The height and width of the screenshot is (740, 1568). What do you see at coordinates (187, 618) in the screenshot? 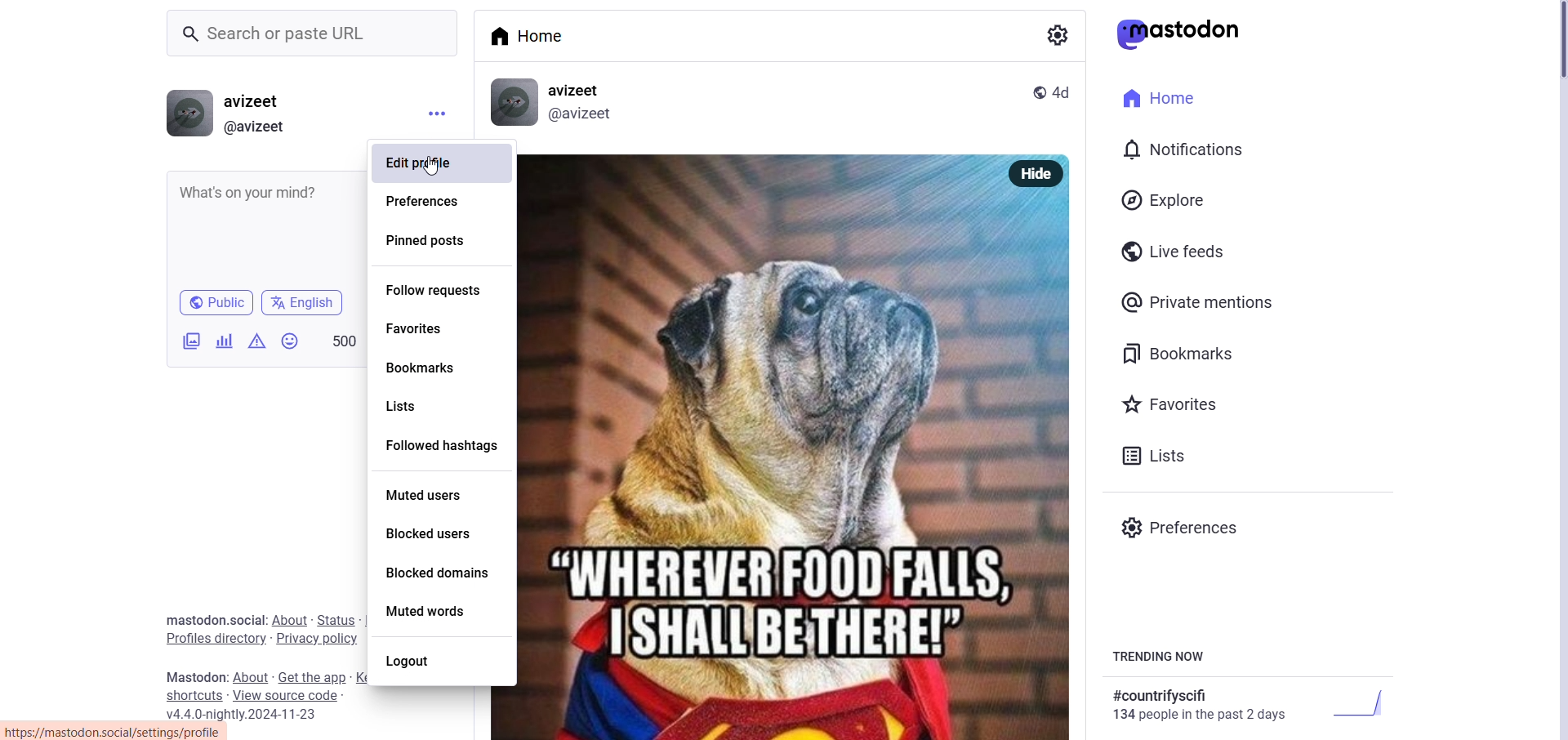
I see `mastodon` at bounding box center [187, 618].